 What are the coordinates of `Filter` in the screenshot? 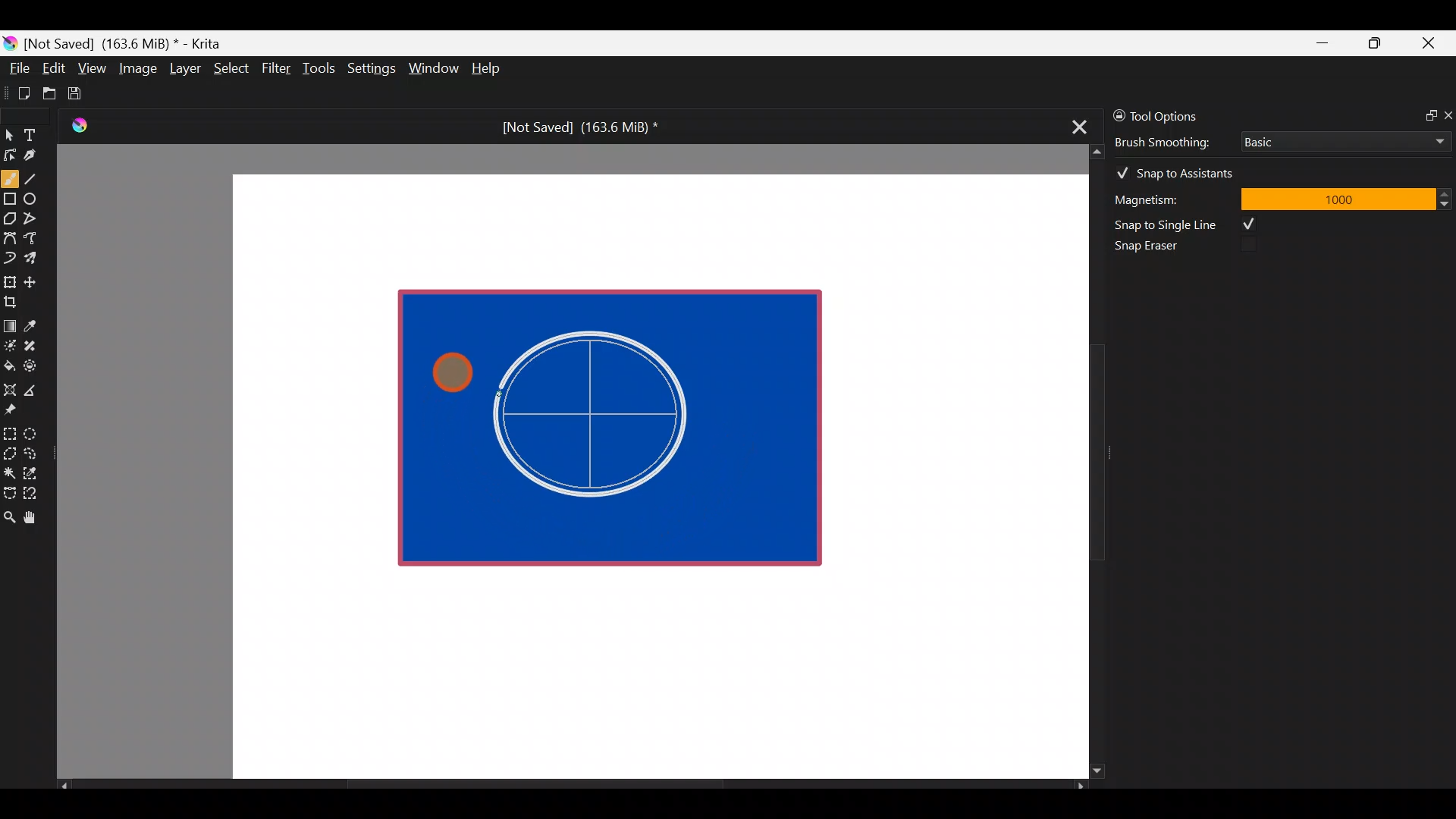 It's located at (277, 67).